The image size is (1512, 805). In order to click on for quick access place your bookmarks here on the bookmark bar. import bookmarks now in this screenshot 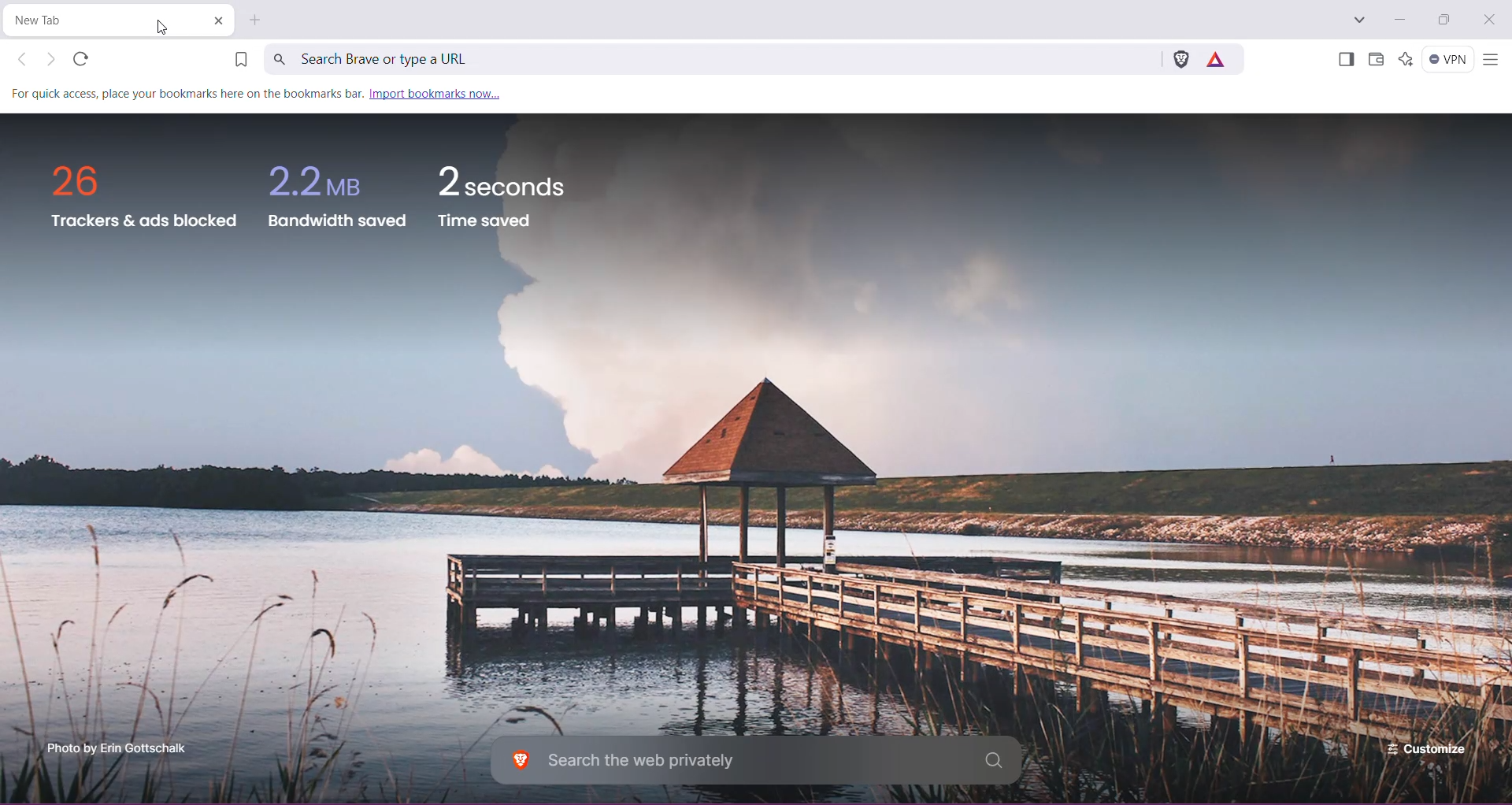, I will do `click(269, 95)`.